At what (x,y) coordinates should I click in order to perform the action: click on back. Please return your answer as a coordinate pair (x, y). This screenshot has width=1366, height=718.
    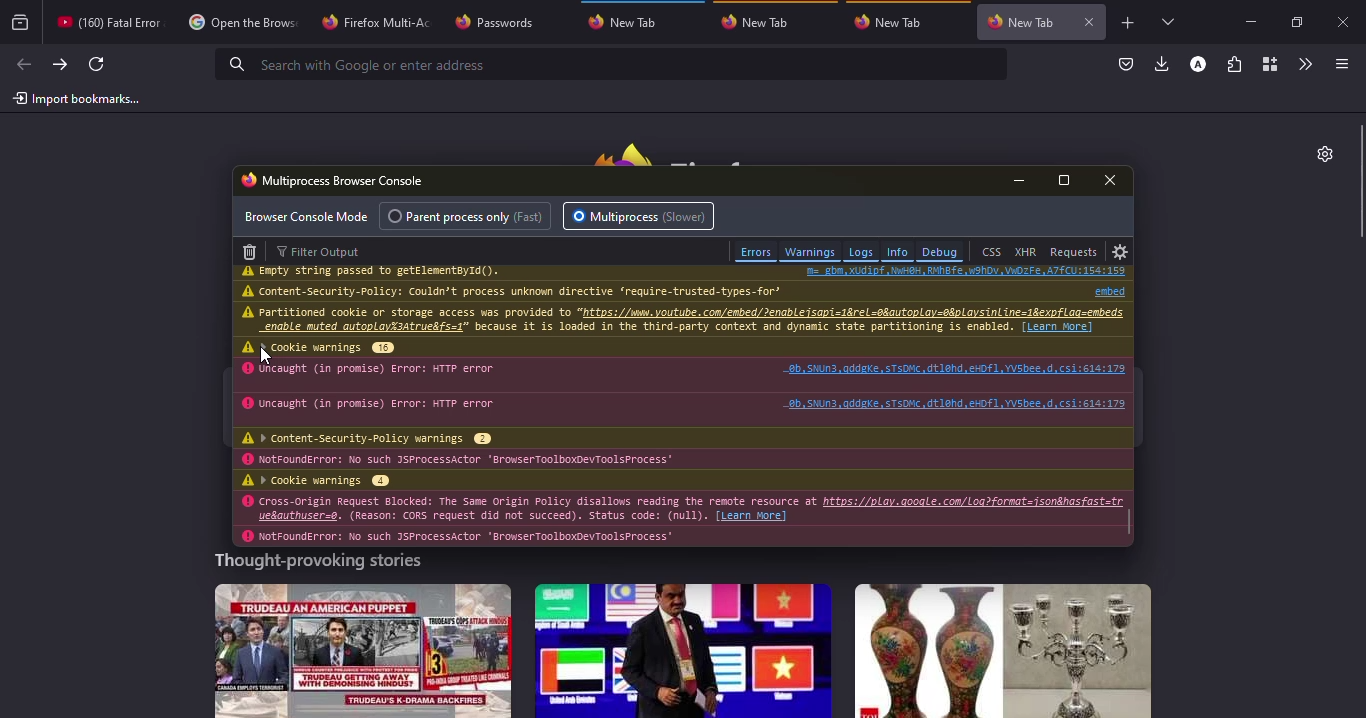
    Looking at the image, I should click on (23, 64).